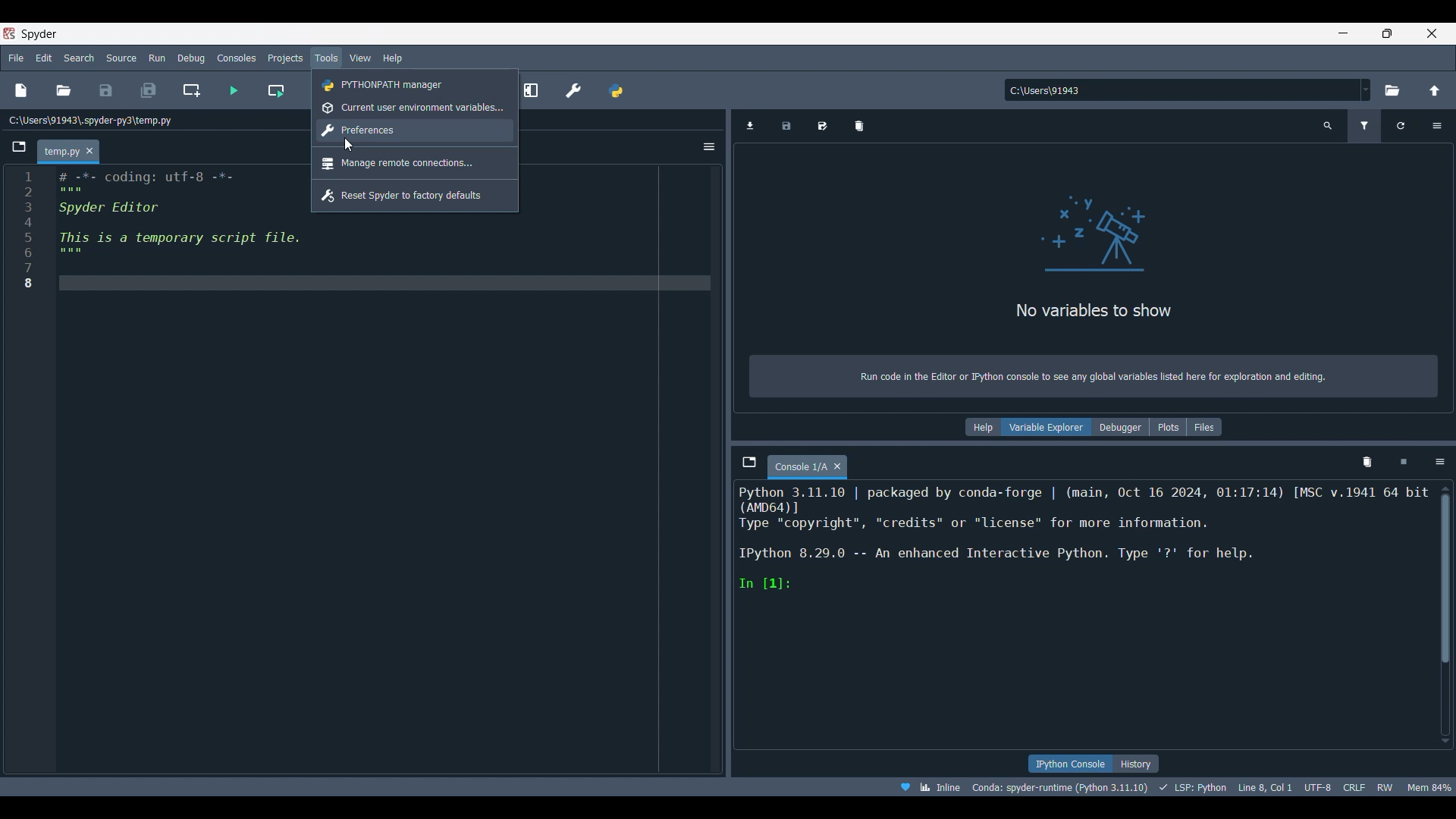 The width and height of the screenshot is (1456, 819). What do you see at coordinates (1388, 34) in the screenshot?
I see `Show in a smaller tab` at bounding box center [1388, 34].